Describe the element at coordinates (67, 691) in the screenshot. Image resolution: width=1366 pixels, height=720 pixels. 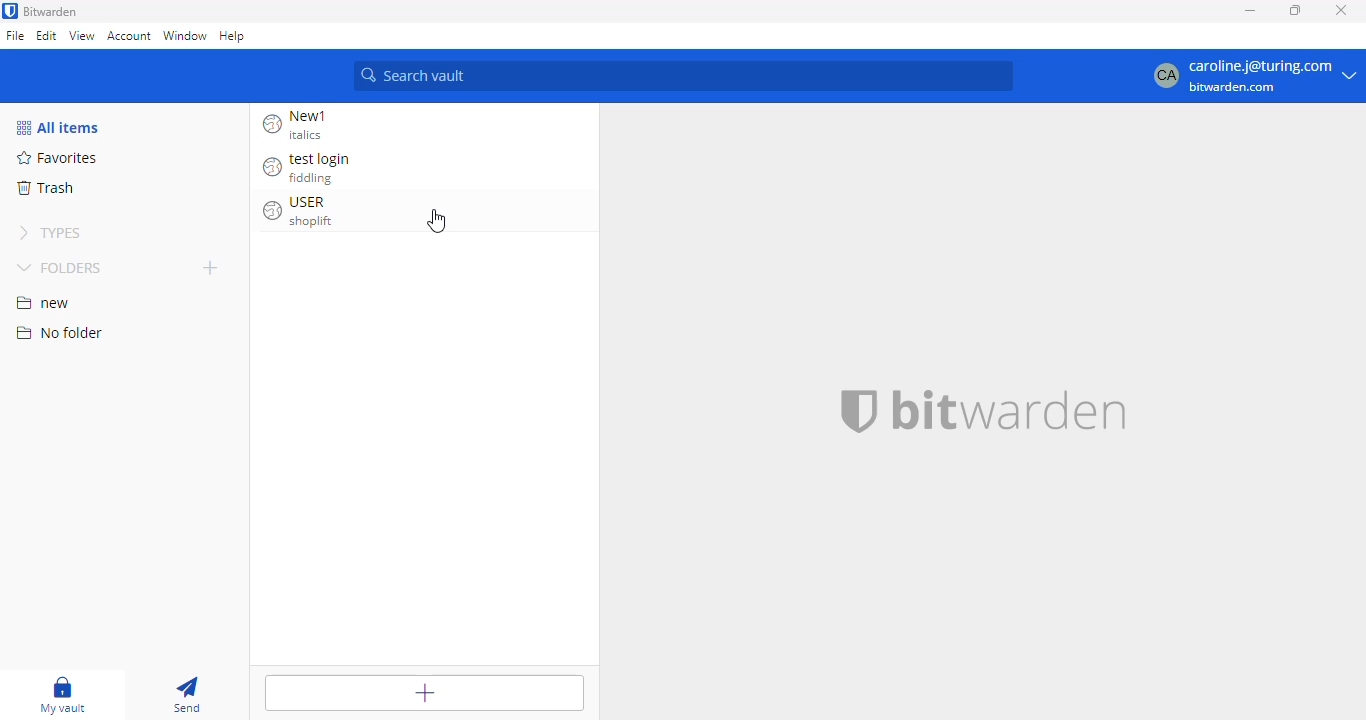
I see `my vault` at that location.